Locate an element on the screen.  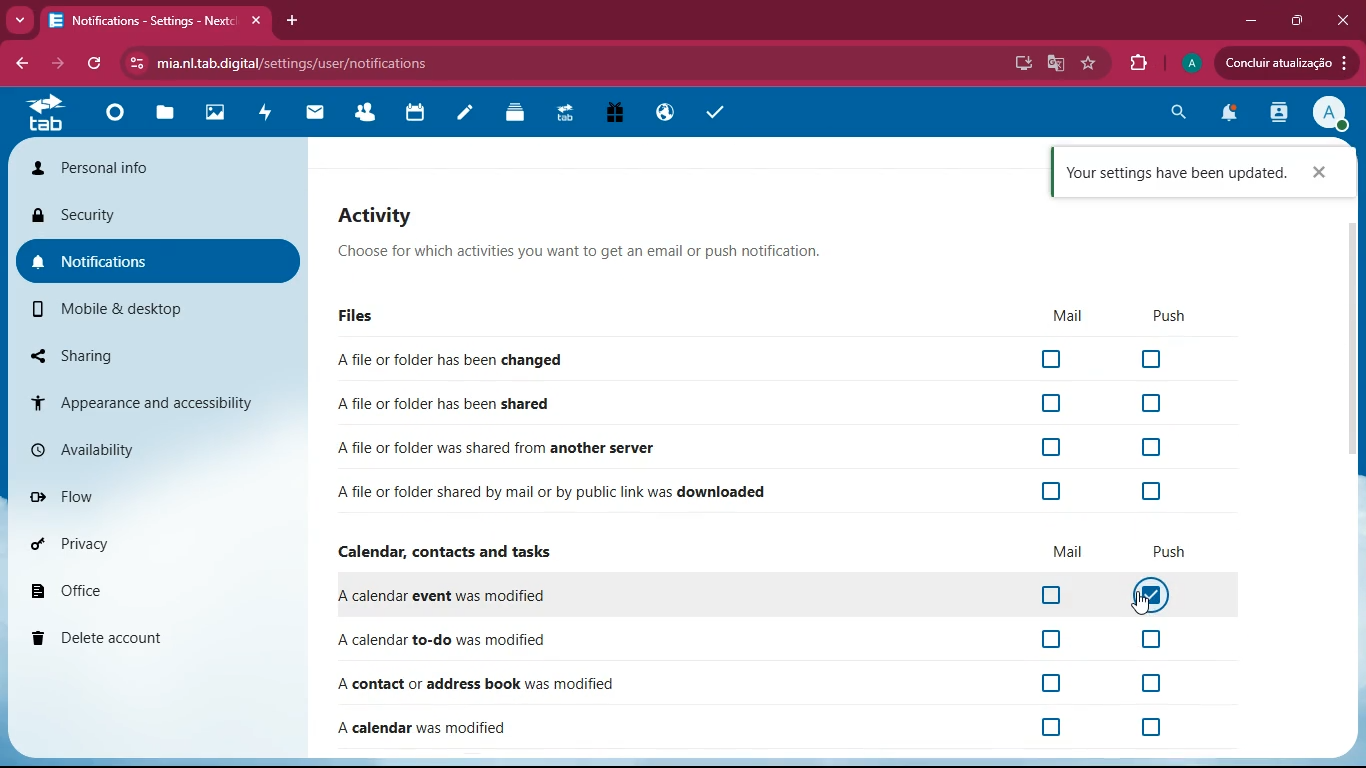
A calendar to-do was modified is located at coordinates (437, 640).